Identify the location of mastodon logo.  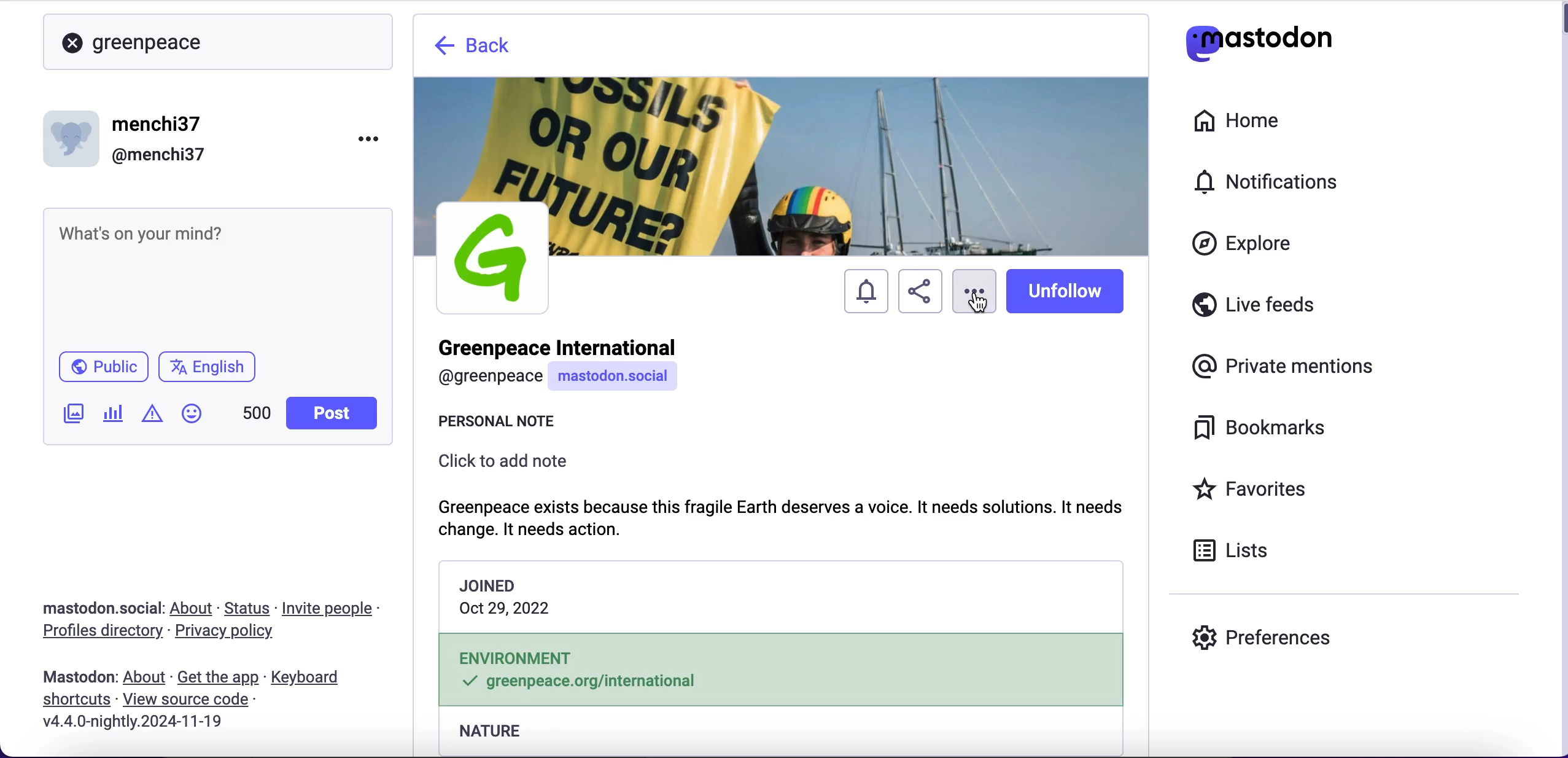
(1259, 40).